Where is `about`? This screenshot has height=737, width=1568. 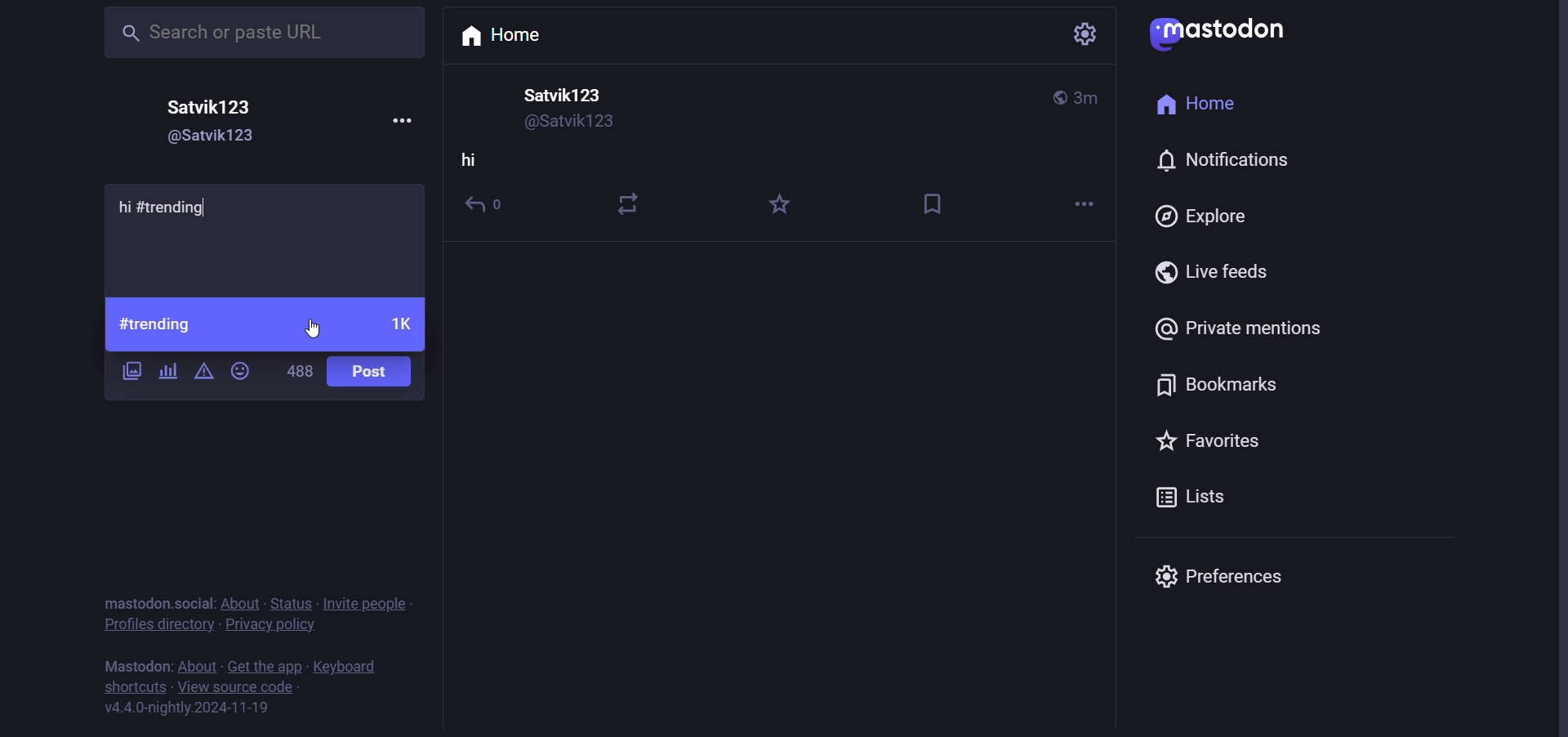 about is located at coordinates (198, 666).